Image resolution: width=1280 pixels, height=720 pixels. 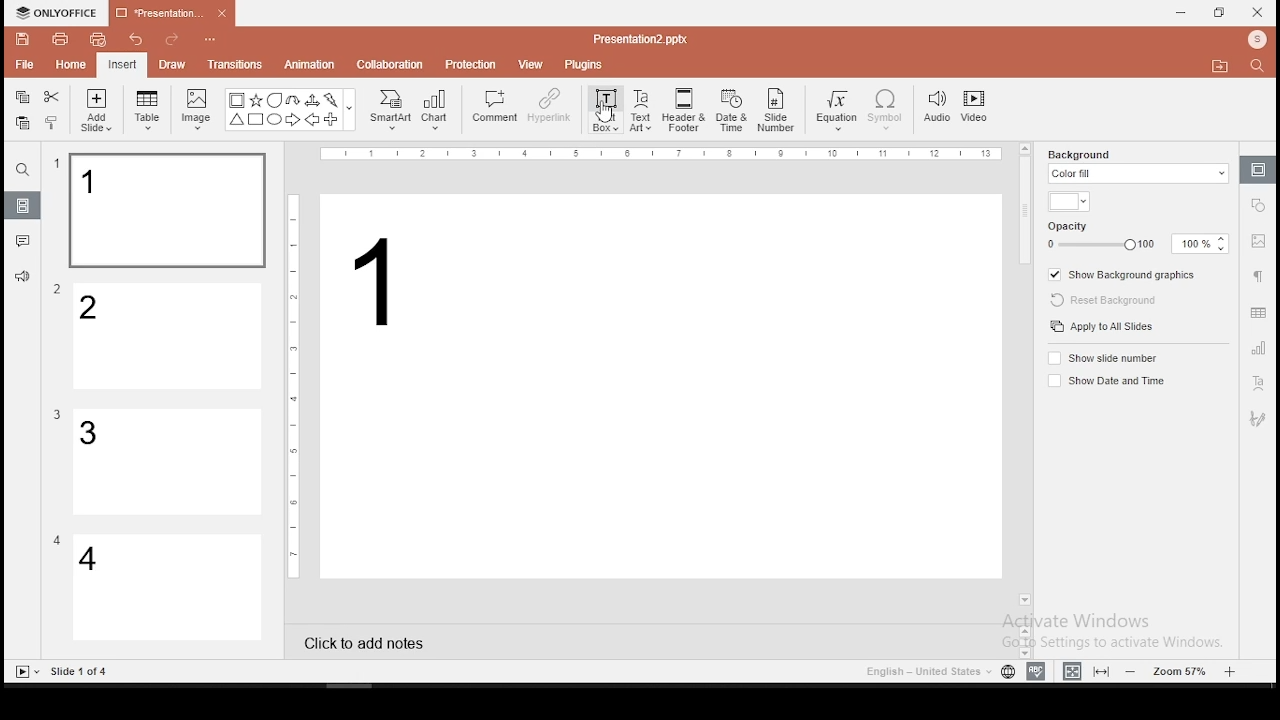 I want to click on Arrow Right, so click(x=294, y=121).